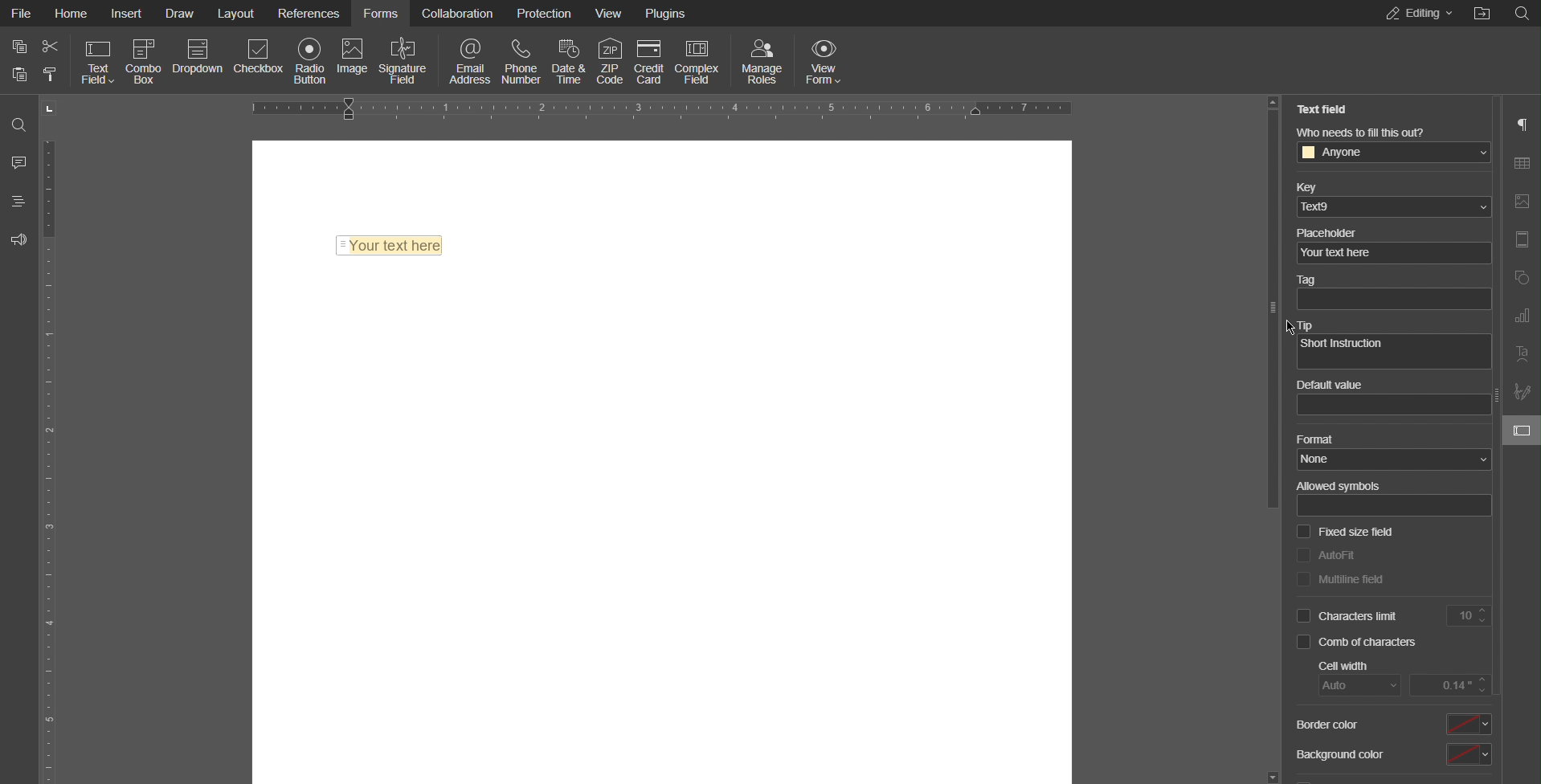 Image resolution: width=1541 pixels, height=784 pixels. Describe the element at coordinates (825, 59) in the screenshot. I see `View Form` at that location.